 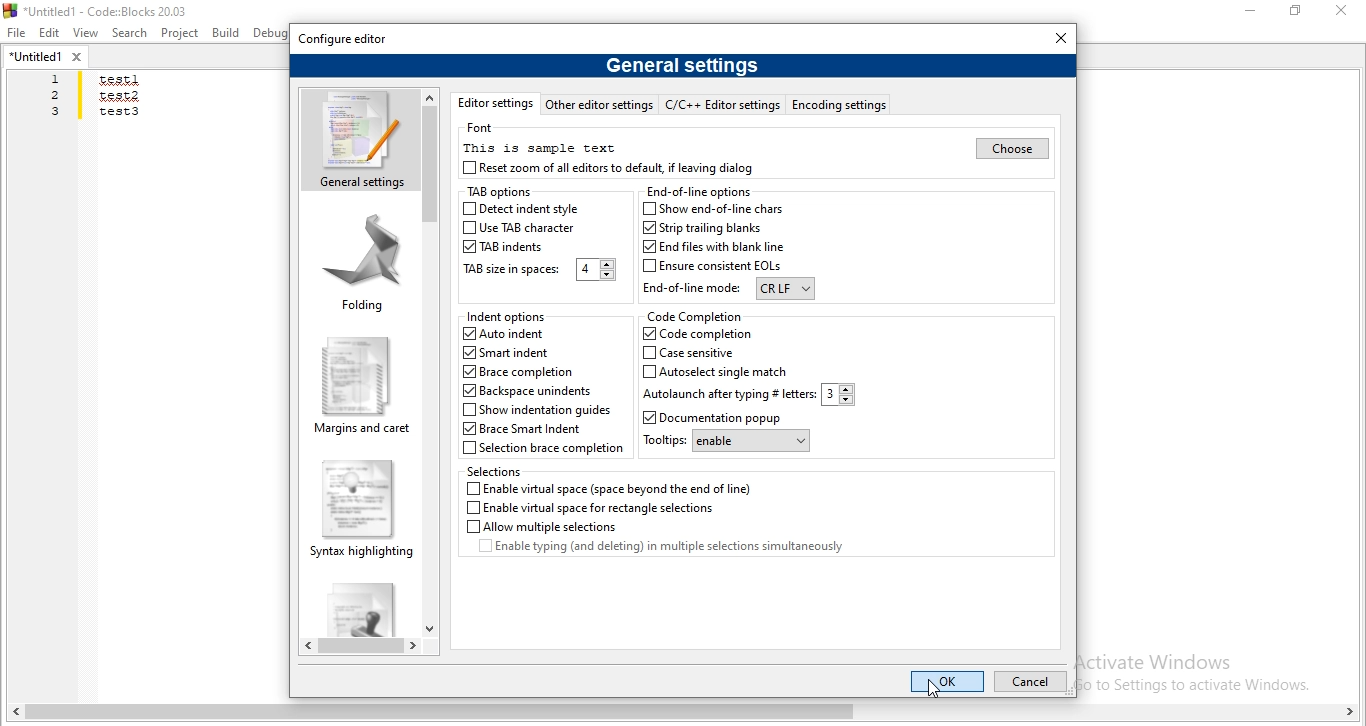 What do you see at coordinates (86, 32) in the screenshot?
I see `View ` at bounding box center [86, 32].